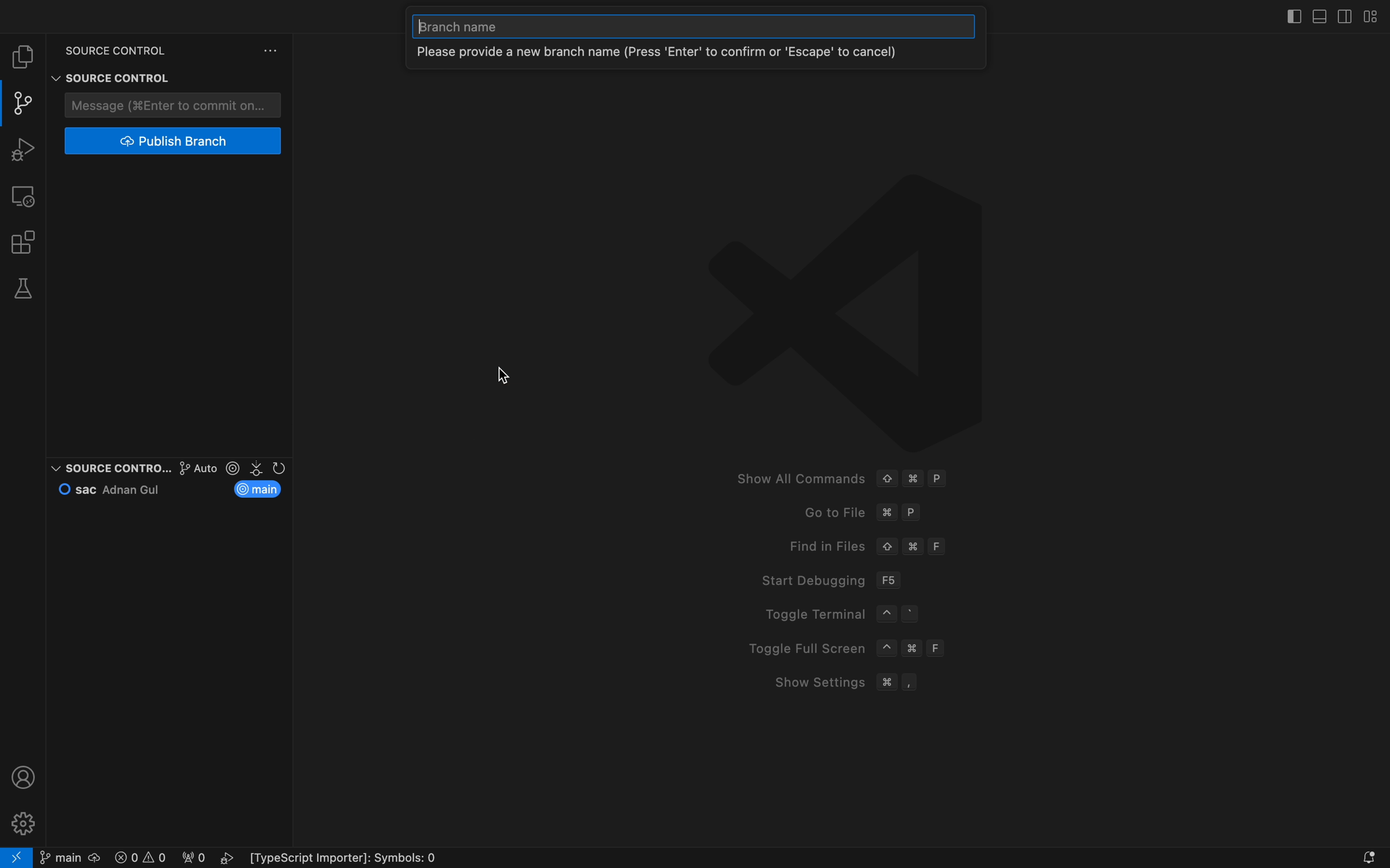 This screenshot has height=868, width=1390. I want to click on tests, so click(27, 289).